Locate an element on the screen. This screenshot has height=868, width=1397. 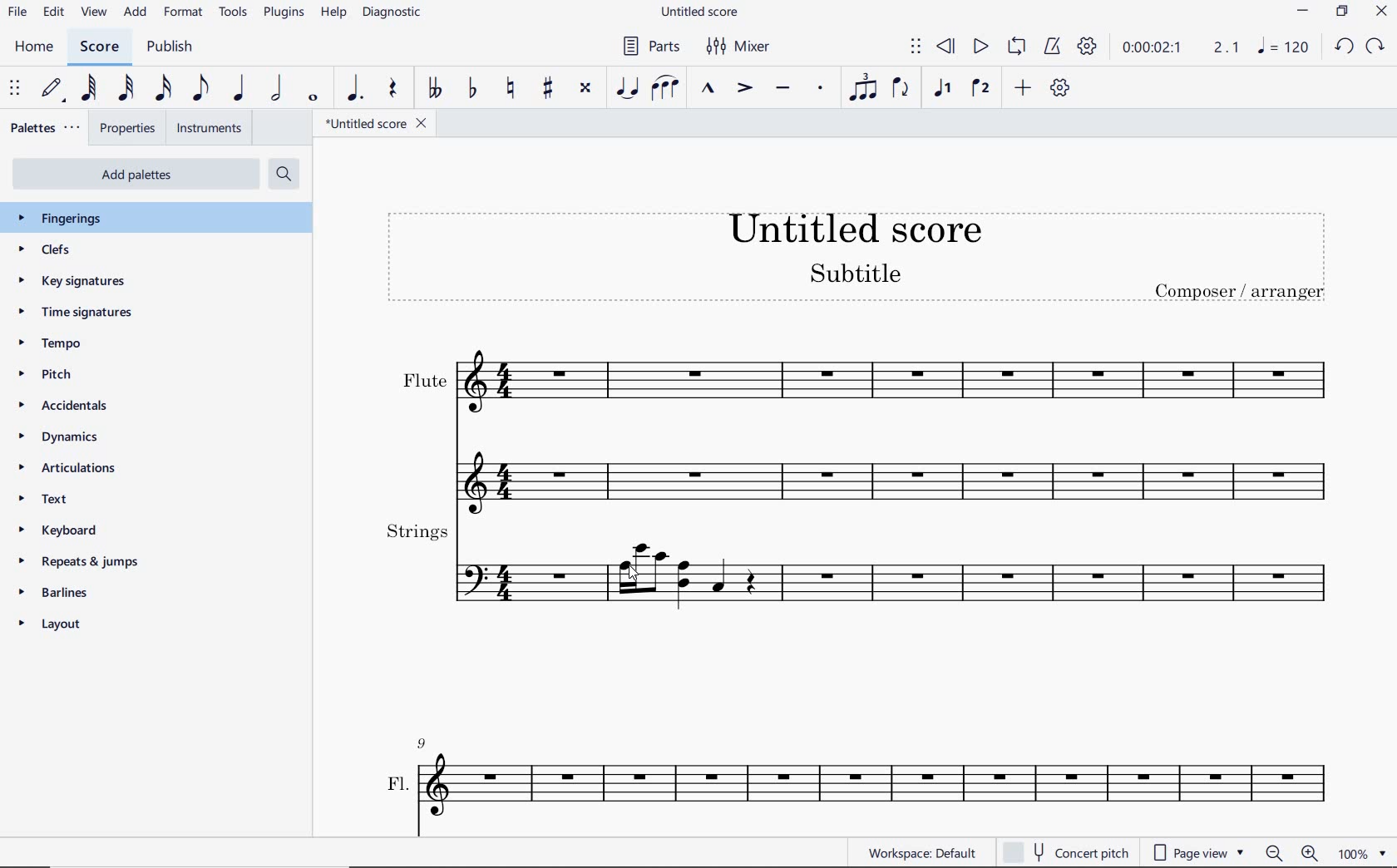
play is located at coordinates (980, 47).